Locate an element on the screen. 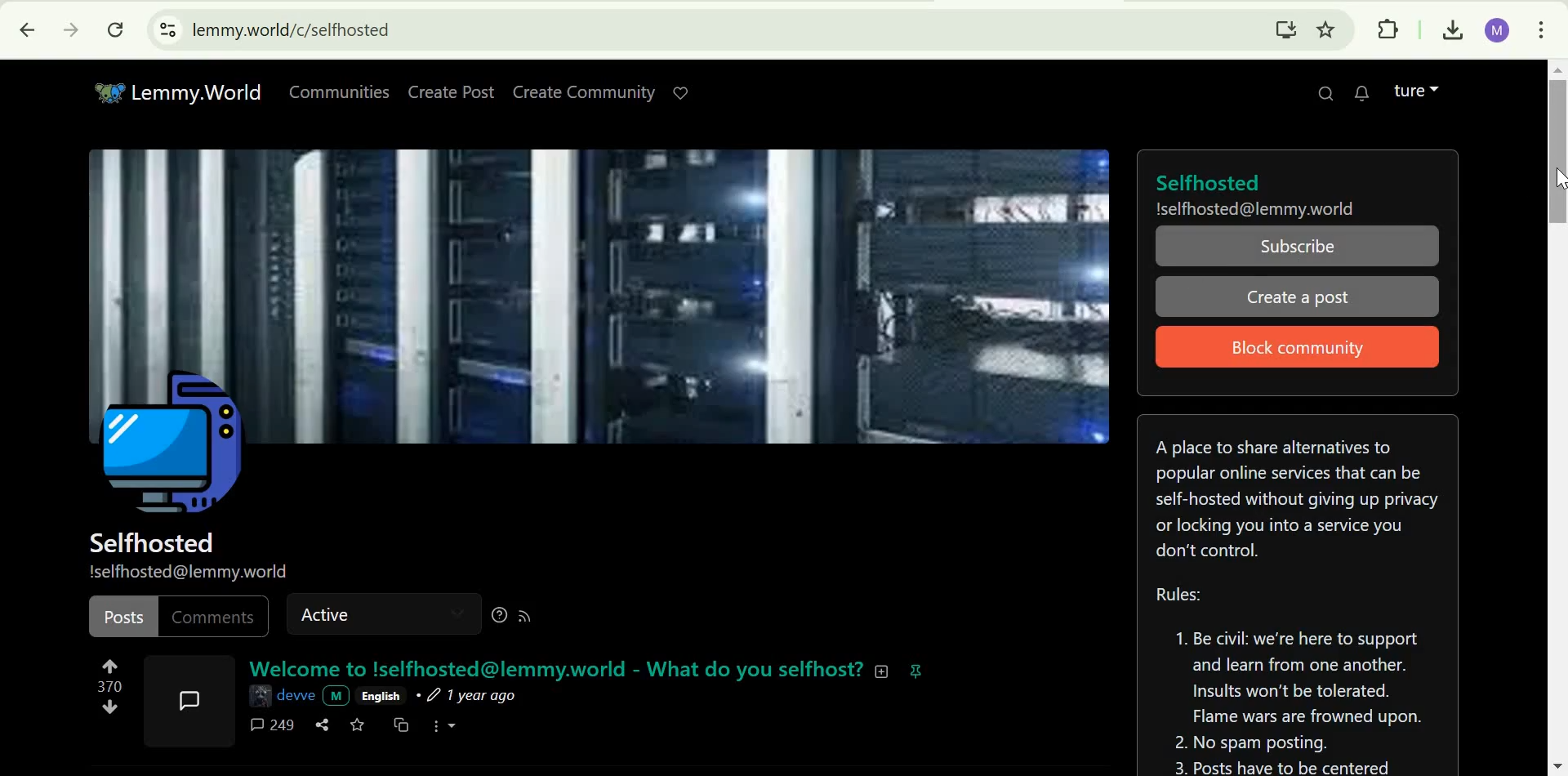  Create Community is located at coordinates (581, 92).